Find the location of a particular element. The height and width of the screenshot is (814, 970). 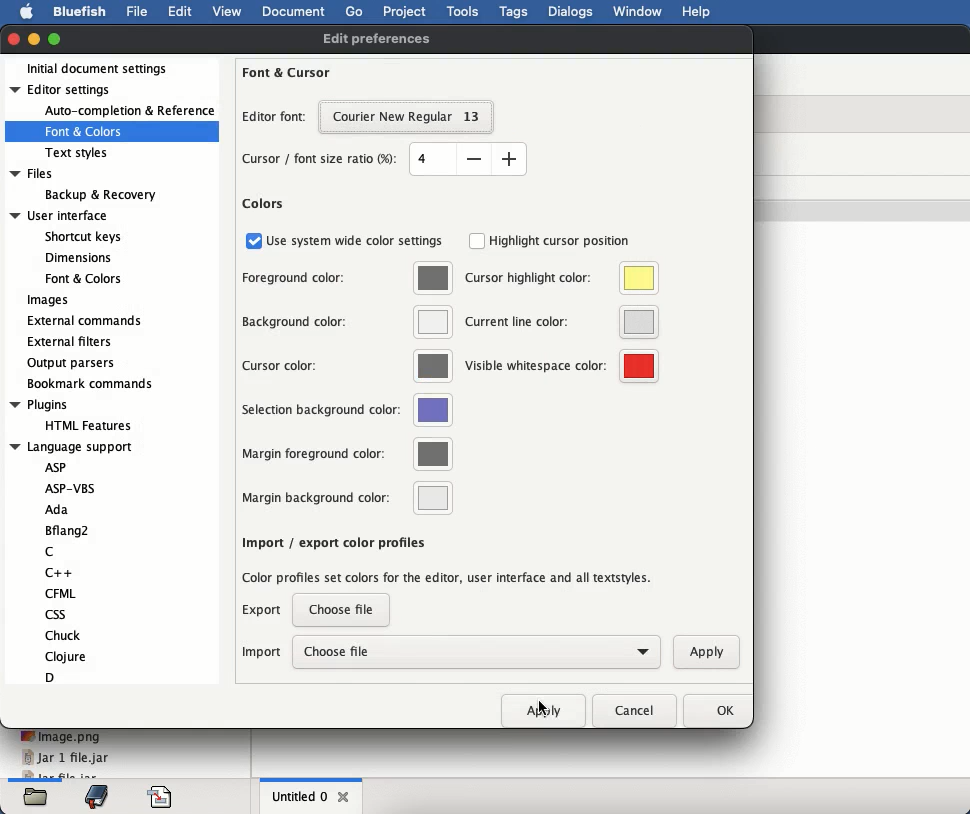

dialogs is located at coordinates (572, 12).